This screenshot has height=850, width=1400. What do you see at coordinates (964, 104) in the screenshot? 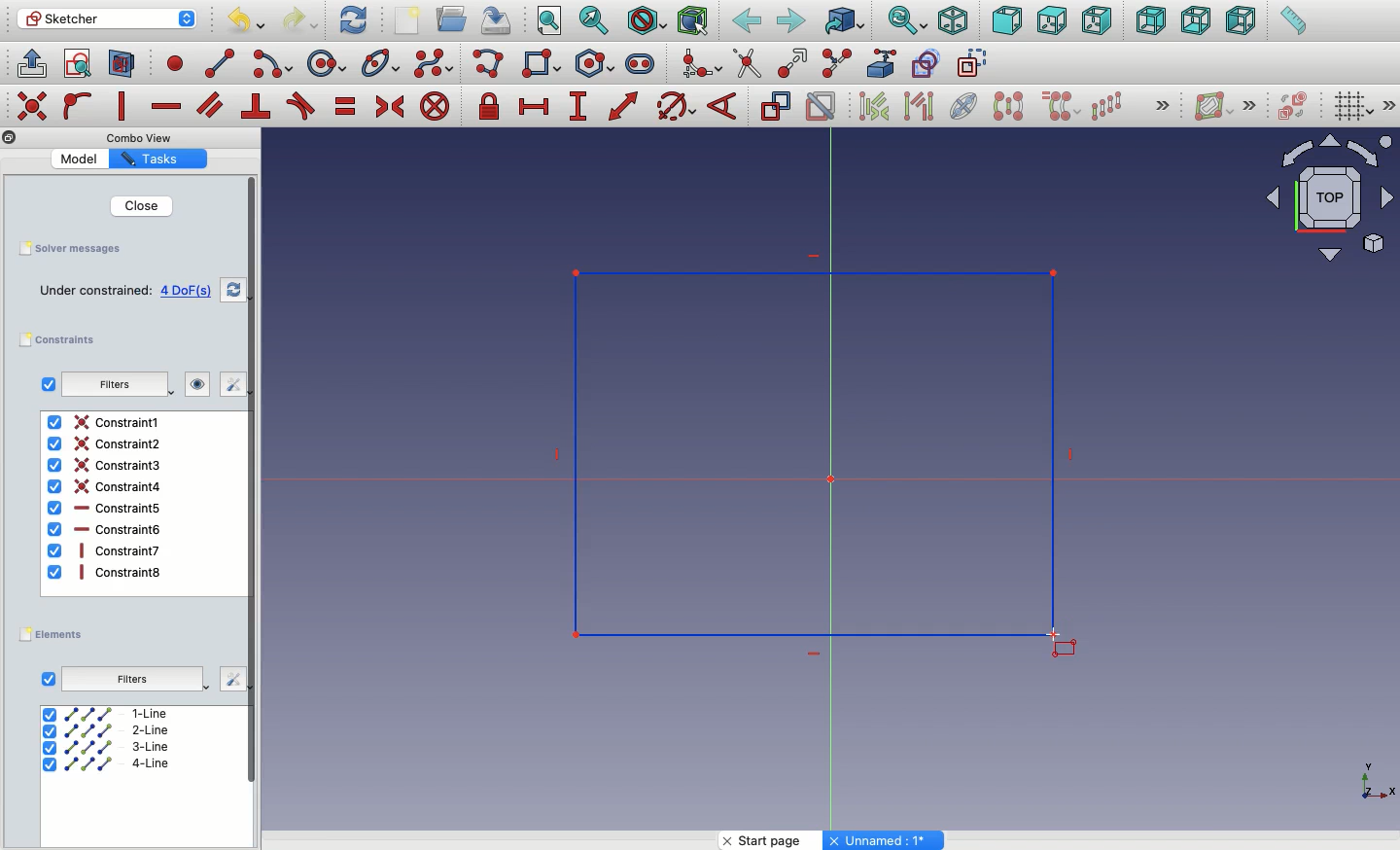
I see `Internal geometry ` at bounding box center [964, 104].